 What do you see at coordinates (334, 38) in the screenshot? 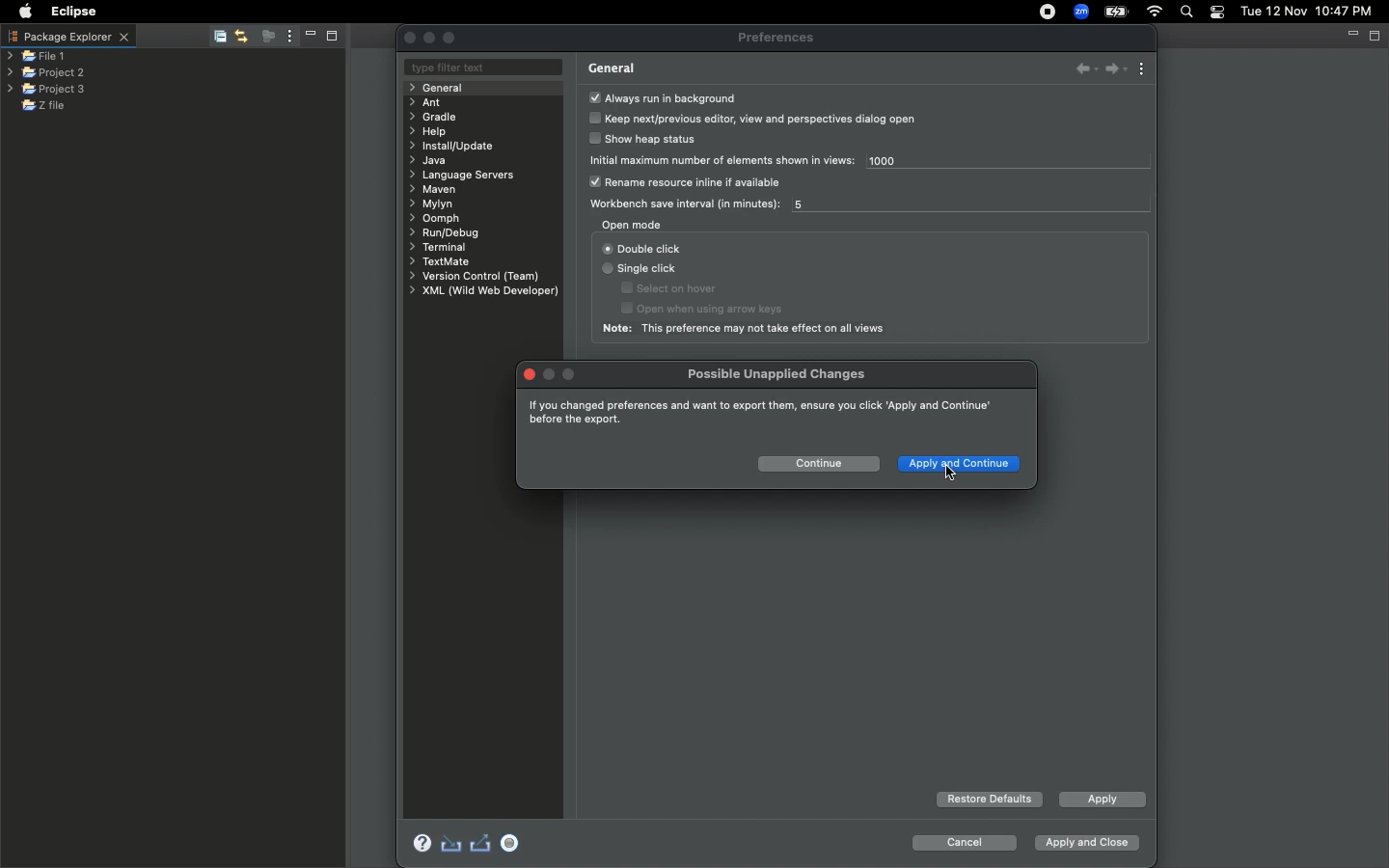
I see `Maximize` at bounding box center [334, 38].